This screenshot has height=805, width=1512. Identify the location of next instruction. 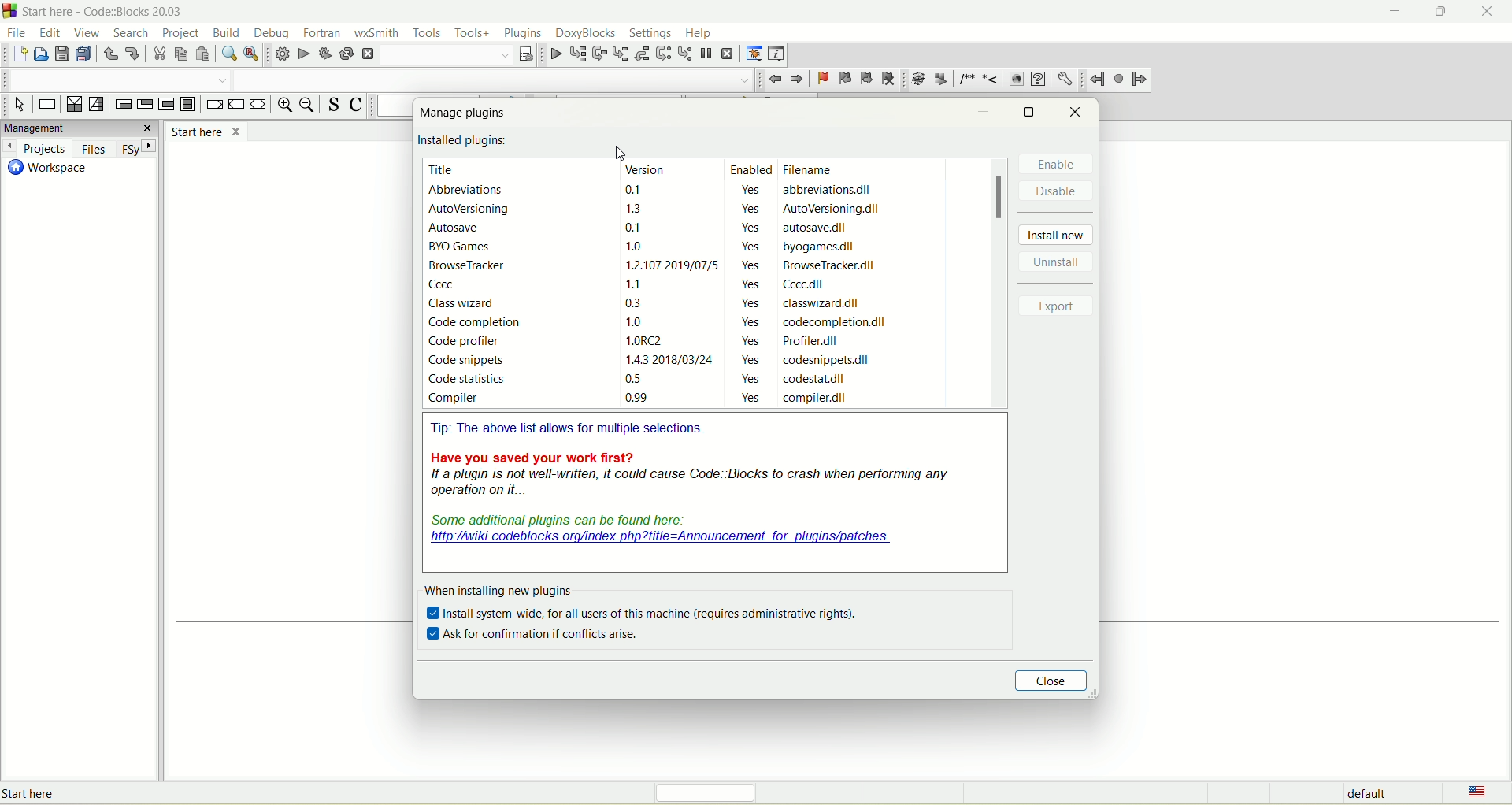
(664, 54).